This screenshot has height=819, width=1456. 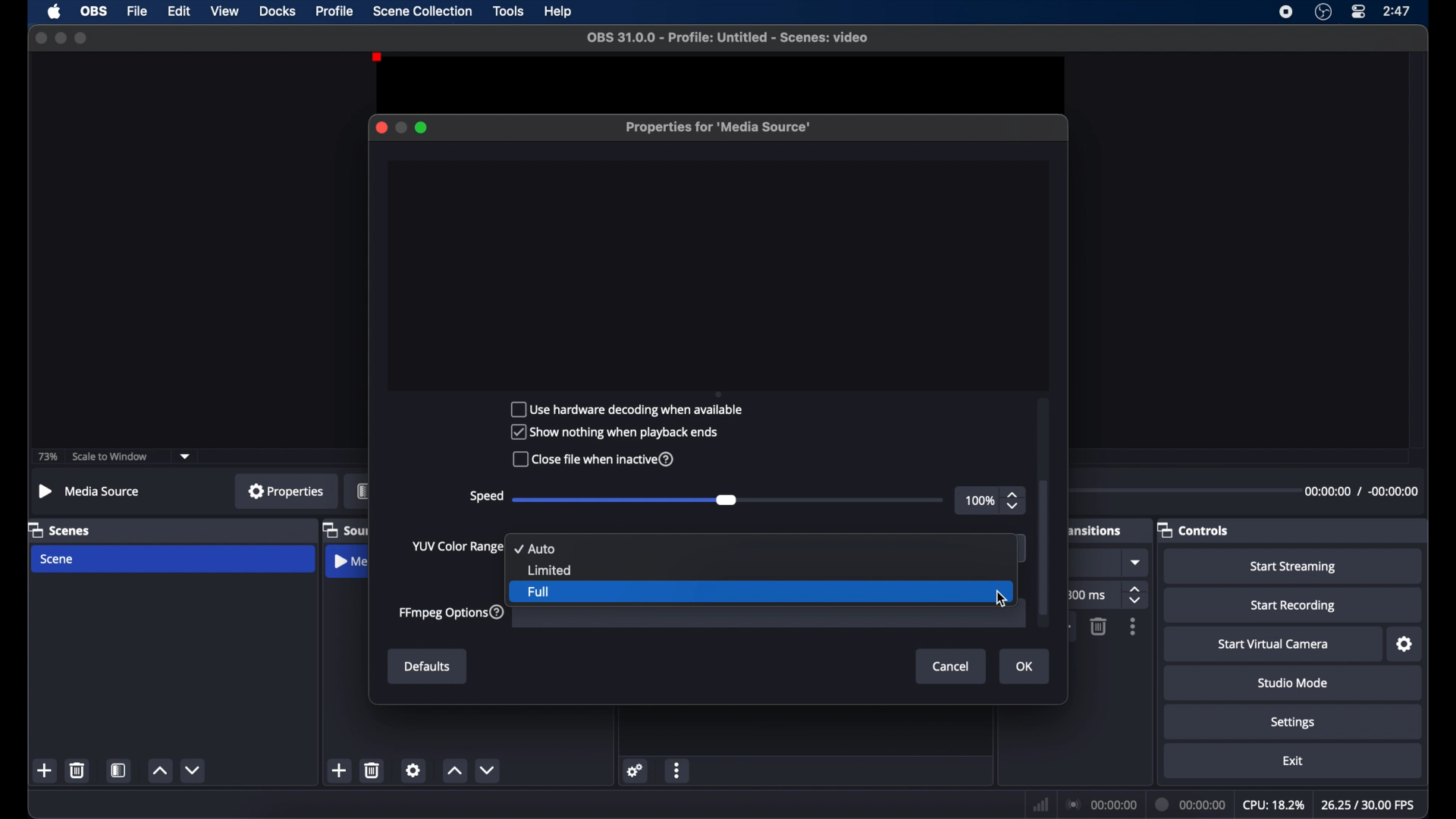 I want to click on add, so click(x=338, y=770).